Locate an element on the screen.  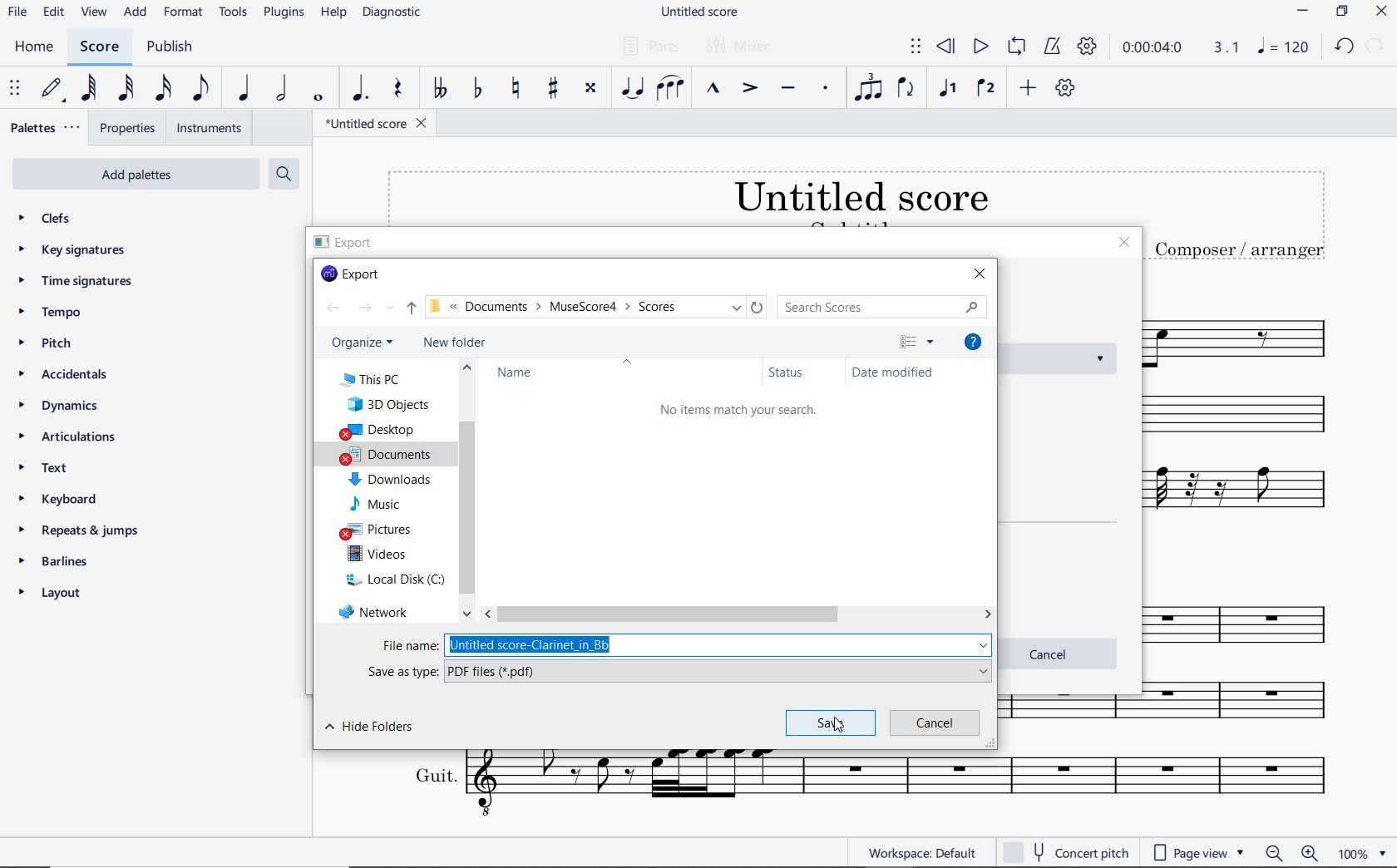
NAME is located at coordinates (522, 377).